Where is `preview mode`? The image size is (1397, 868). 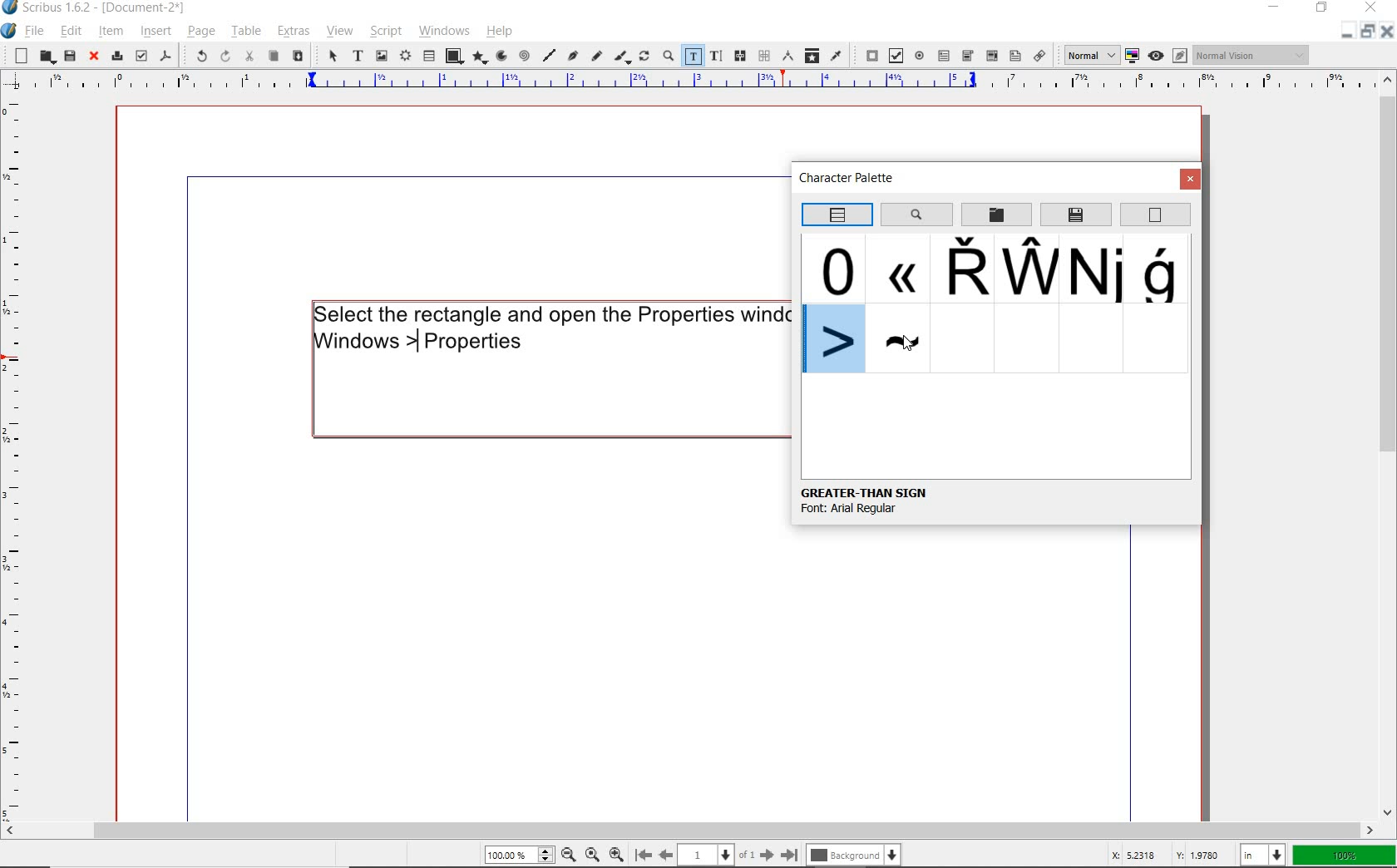
preview mode is located at coordinates (1167, 56).